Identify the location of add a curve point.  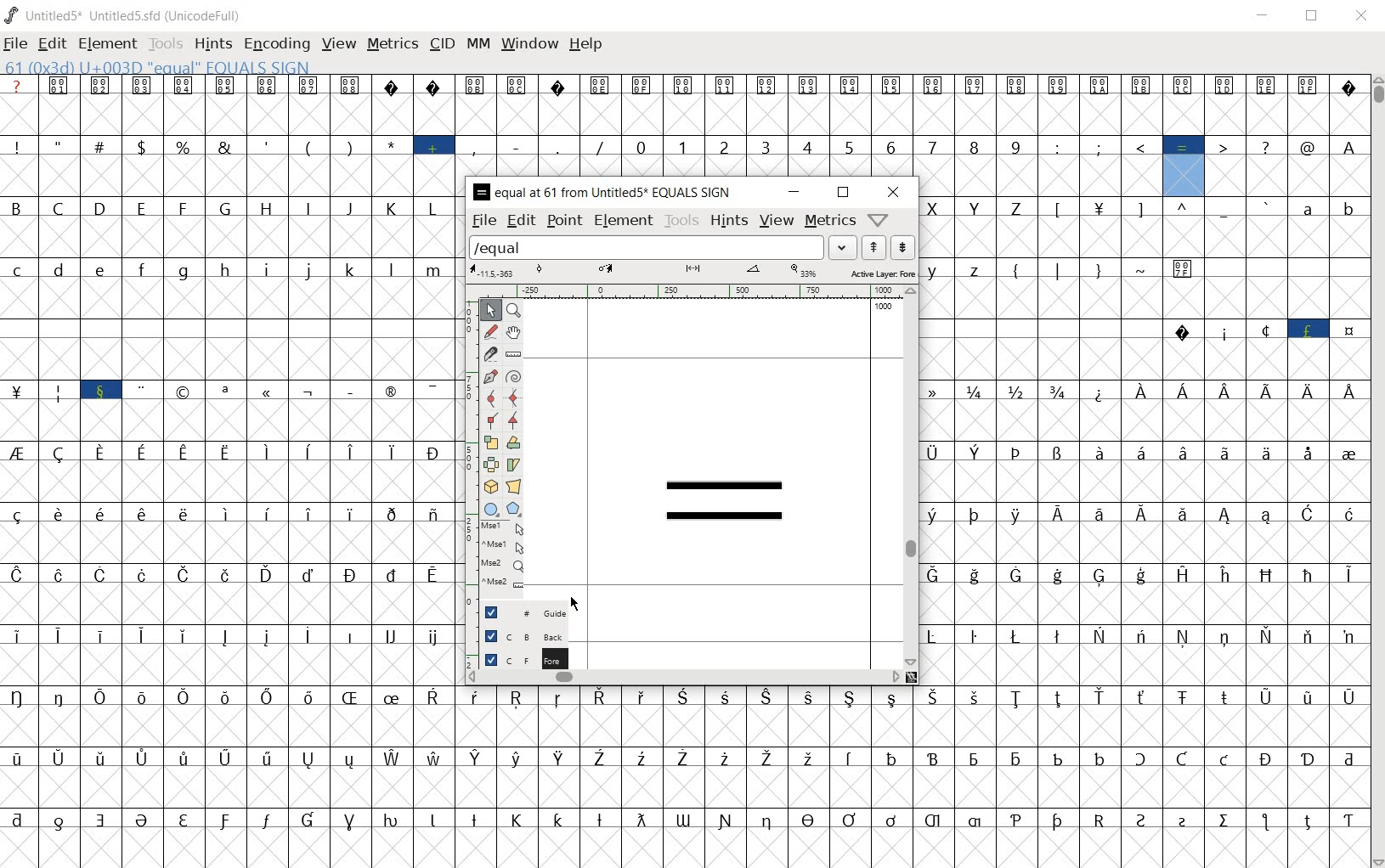
(490, 398).